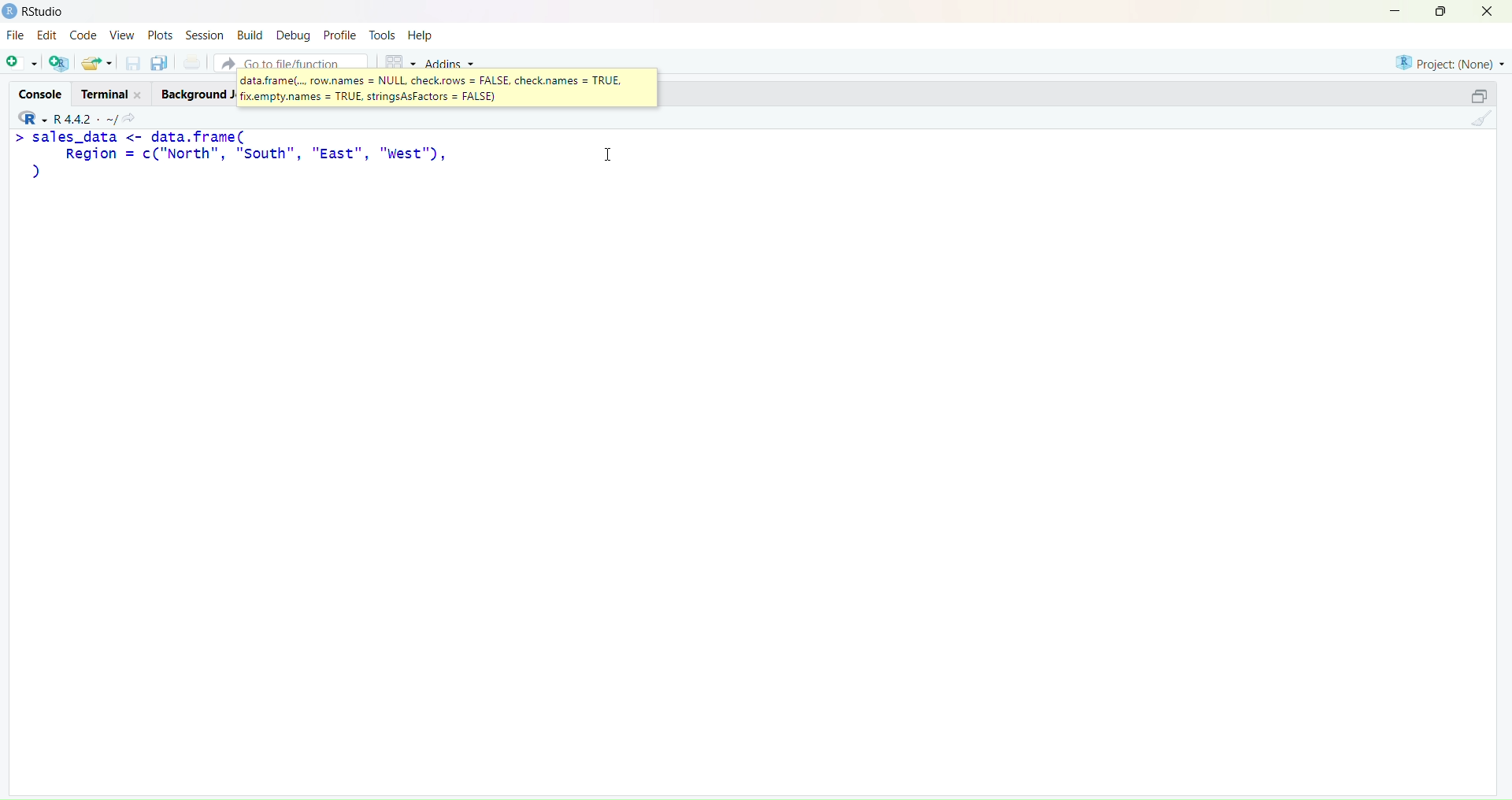 This screenshot has width=1512, height=800. What do you see at coordinates (290, 61) in the screenshot?
I see `Go to file/function` at bounding box center [290, 61].